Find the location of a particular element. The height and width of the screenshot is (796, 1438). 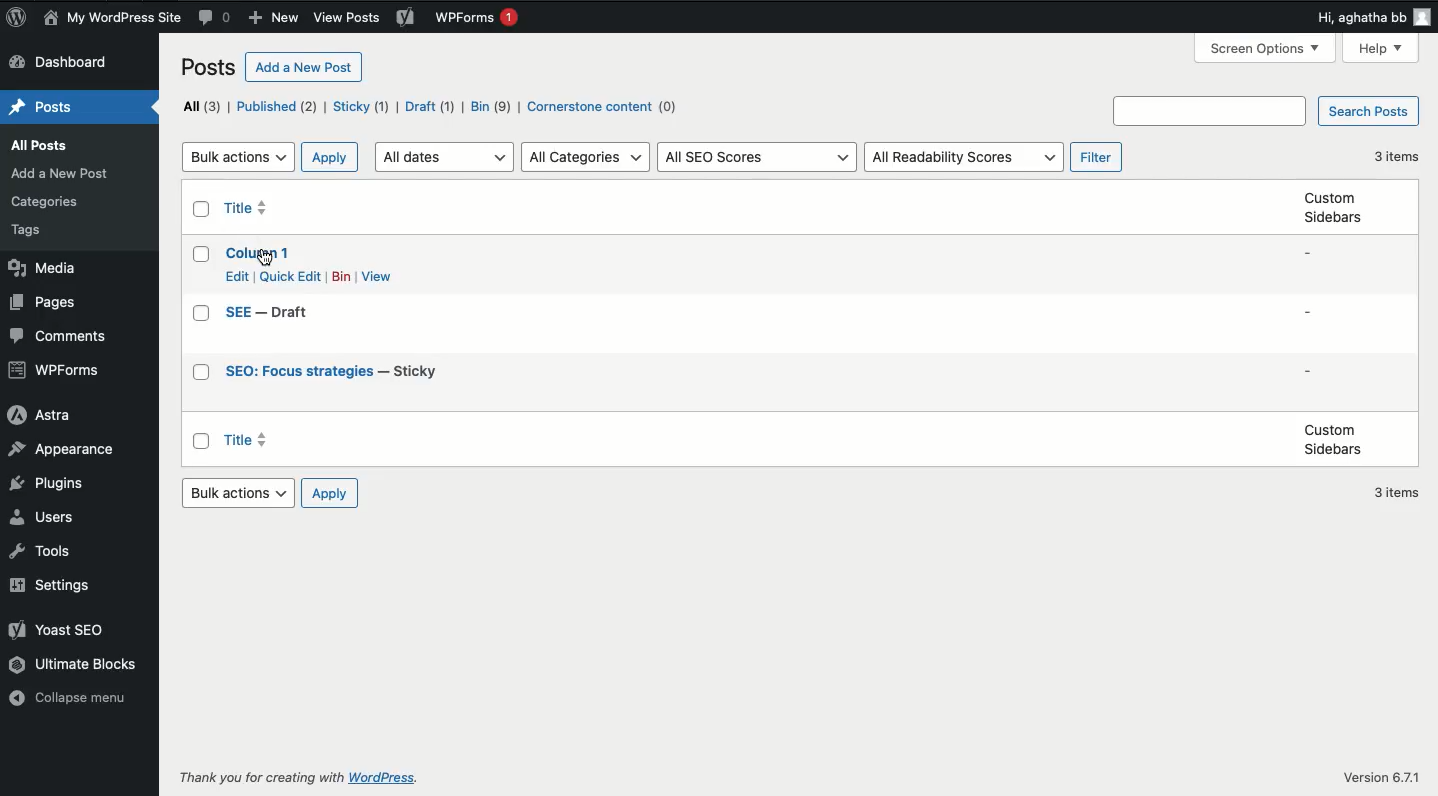

Published is located at coordinates (276, 107).